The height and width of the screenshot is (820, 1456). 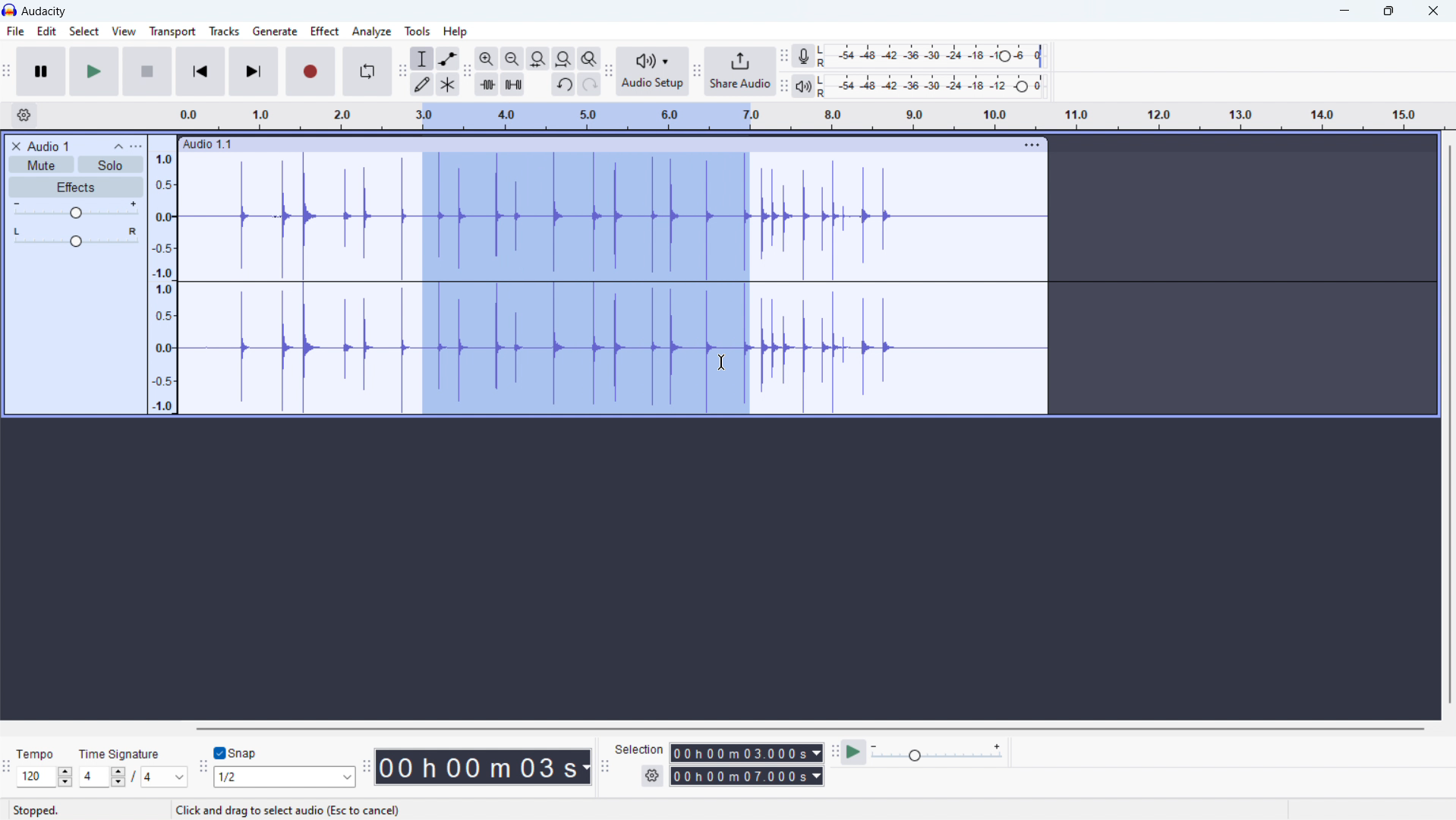 What do you see at coordinates (16, 147) in the screenshot?
I see `delete audio` at bounding box center [16, 147].